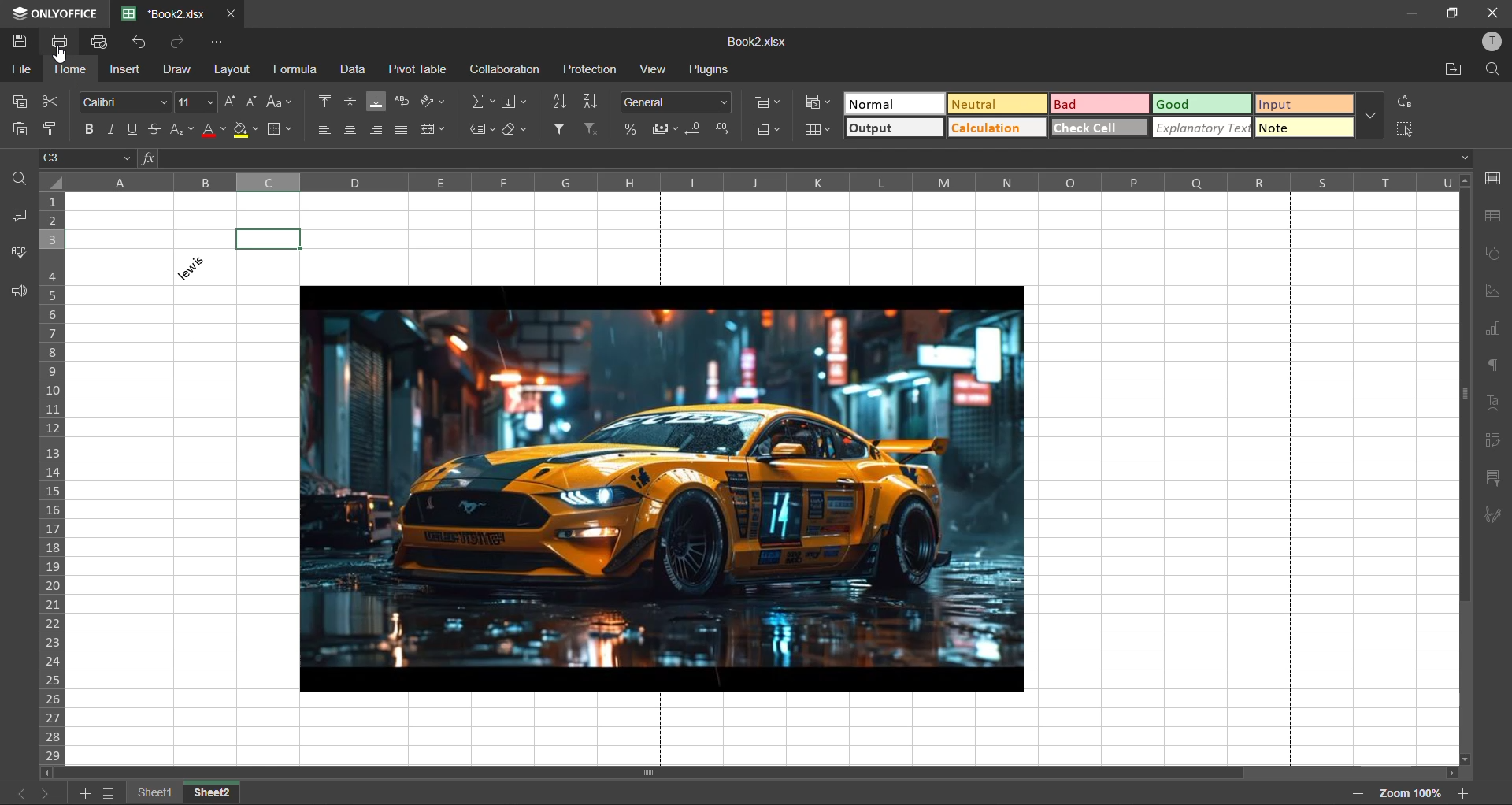  I want to click on format as table, so click(820, 131).